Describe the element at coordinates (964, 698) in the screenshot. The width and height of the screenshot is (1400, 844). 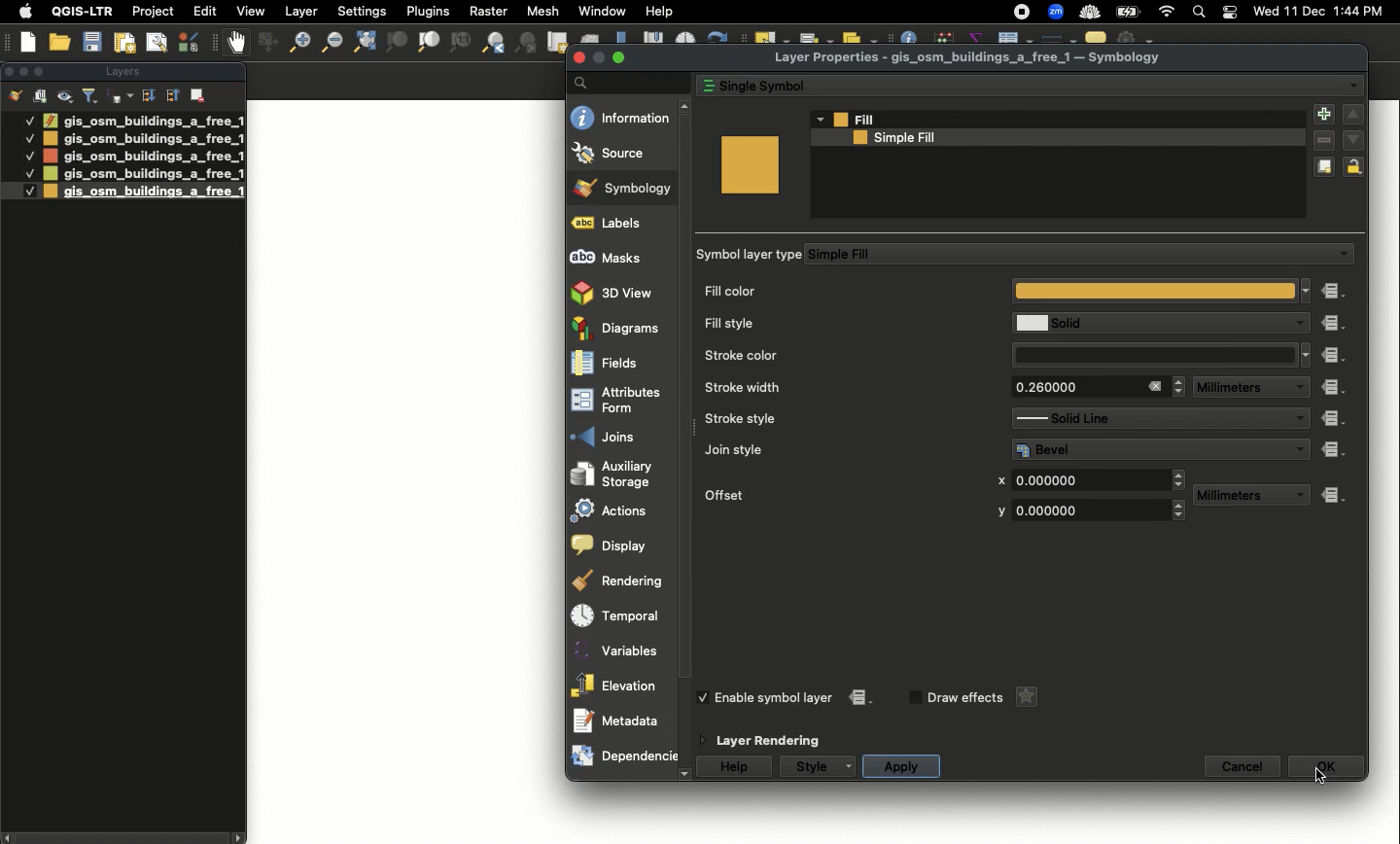
I see `Draw effects` at that location.